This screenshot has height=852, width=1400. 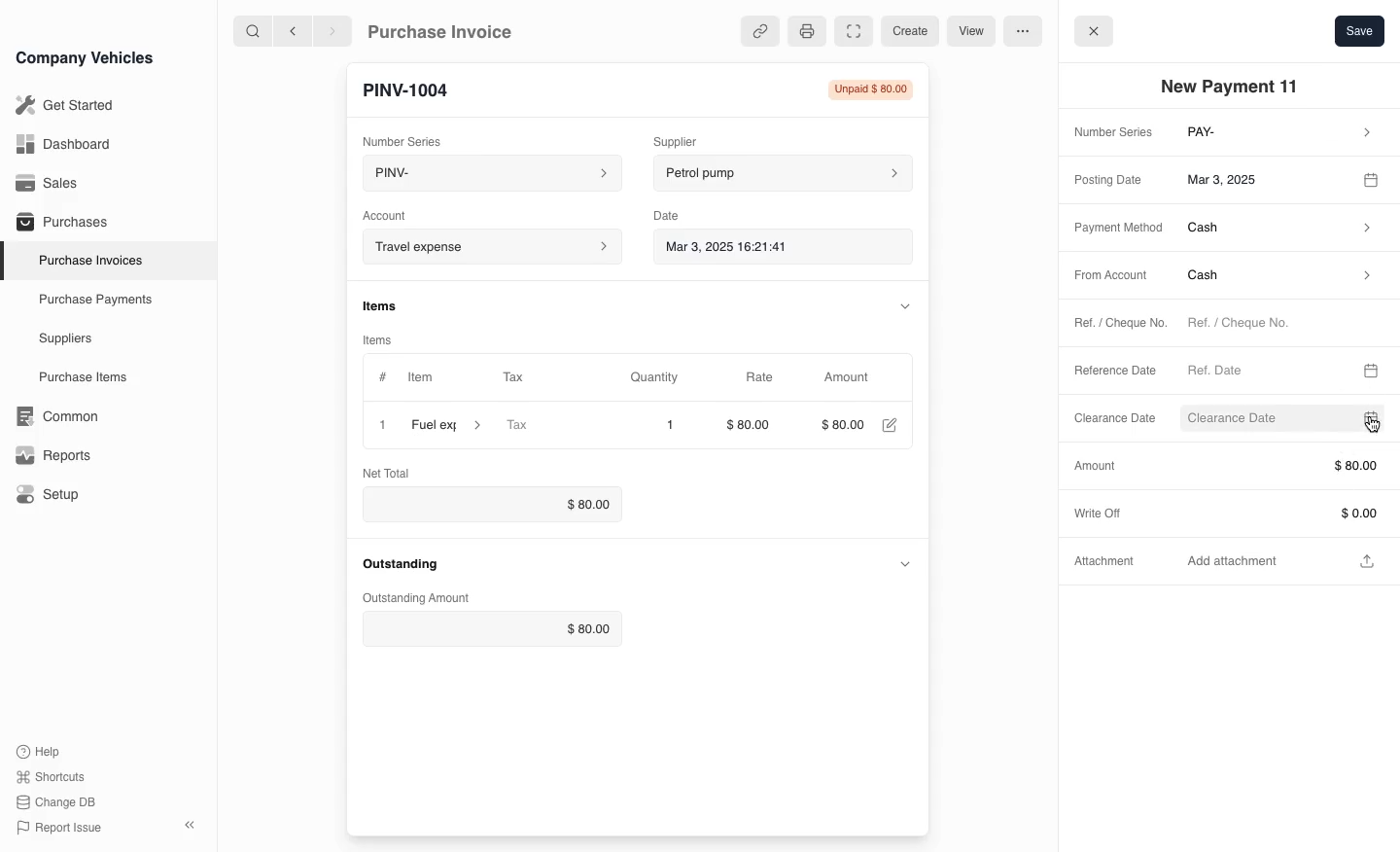 What do you see at coordinates (53, 455) in the screenshot?
I see `Reports` at bounding box center [53, 455].